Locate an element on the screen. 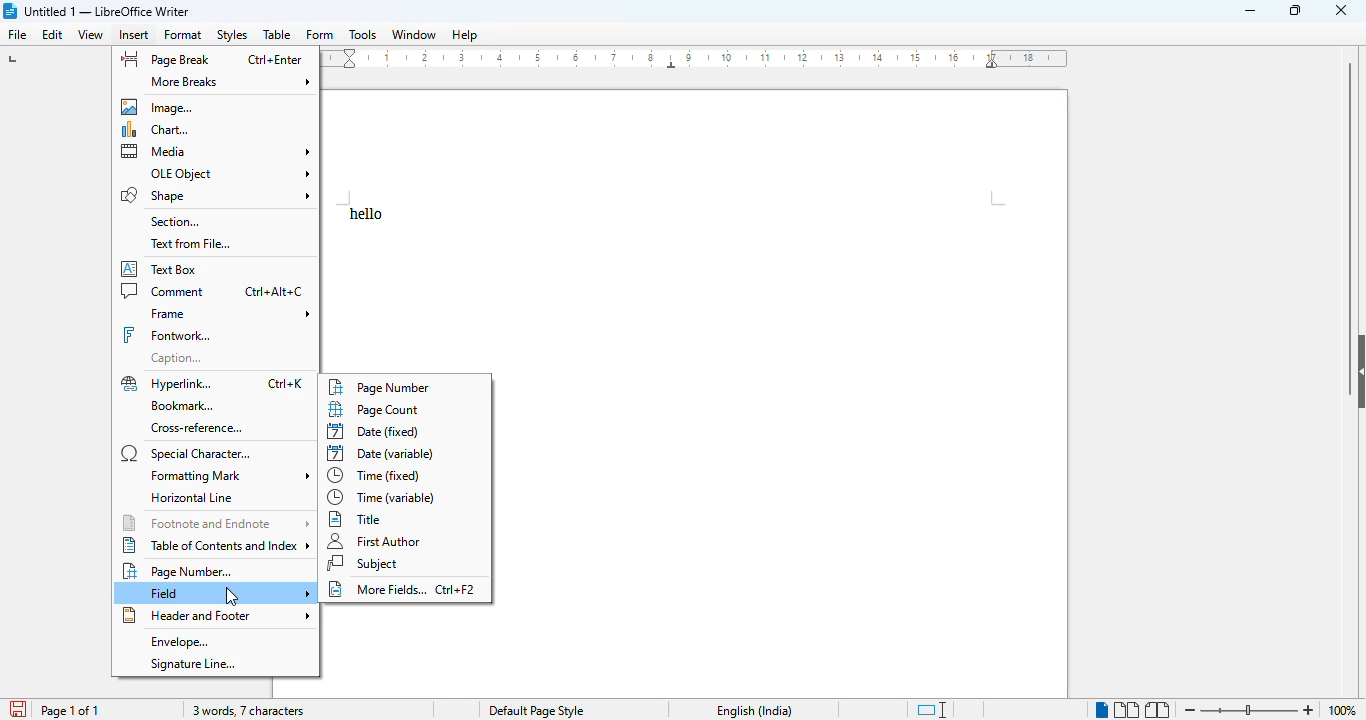  page style is located at coordinates (536, 710).